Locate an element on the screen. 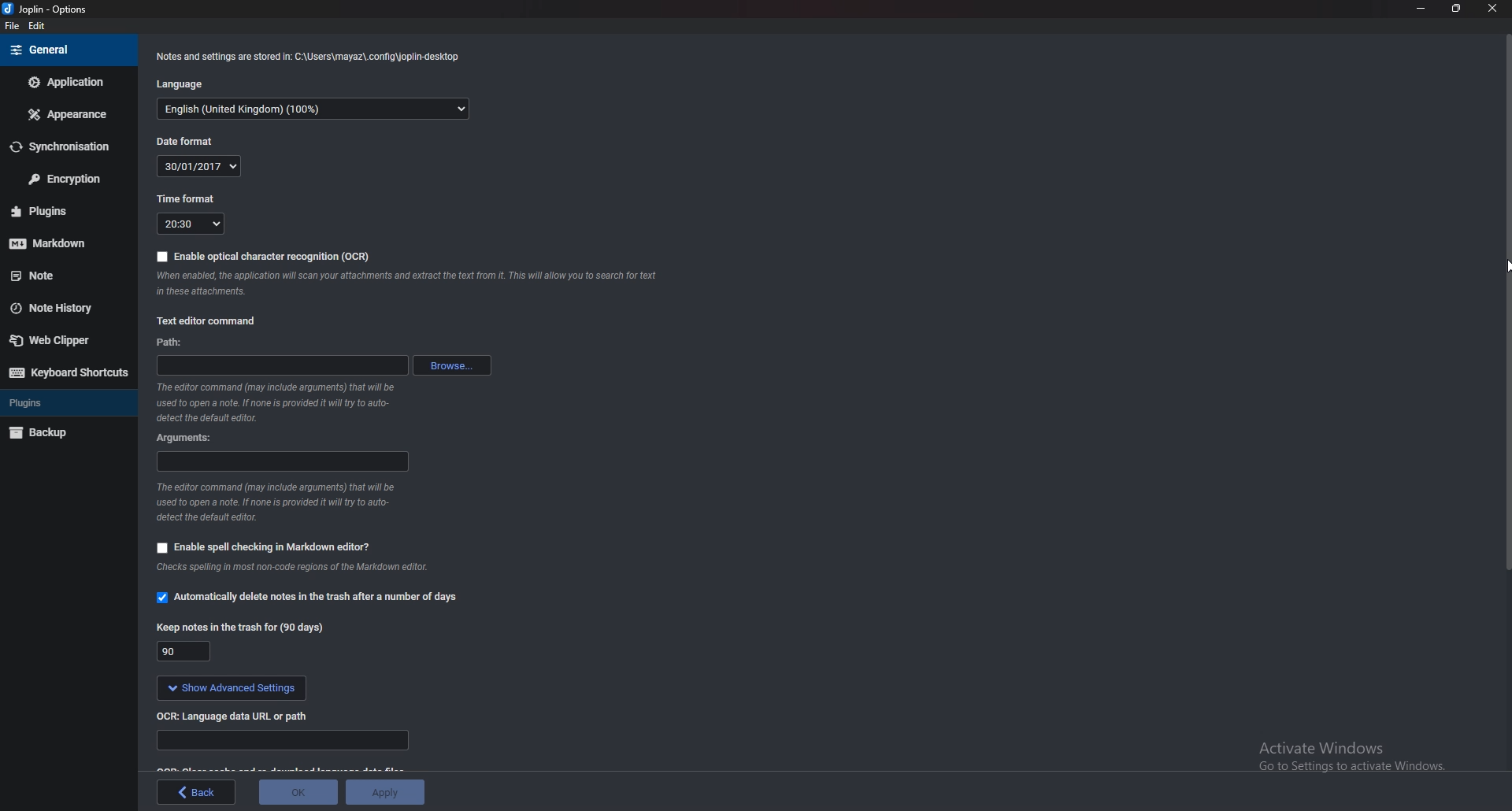  cursor is located at coordinates (1494, 265).